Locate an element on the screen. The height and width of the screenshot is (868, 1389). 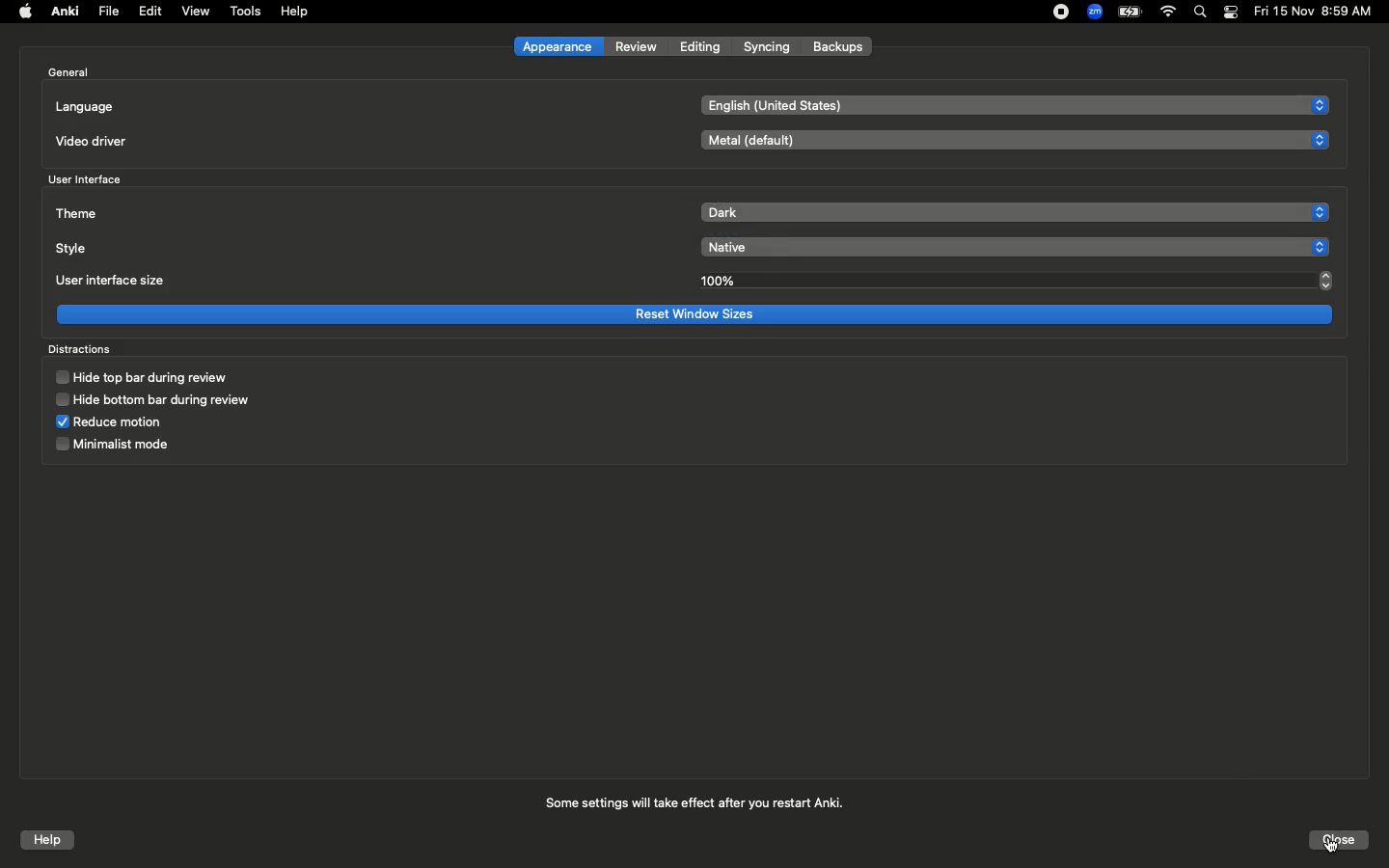
Search is located at coordinates (1199, 14).